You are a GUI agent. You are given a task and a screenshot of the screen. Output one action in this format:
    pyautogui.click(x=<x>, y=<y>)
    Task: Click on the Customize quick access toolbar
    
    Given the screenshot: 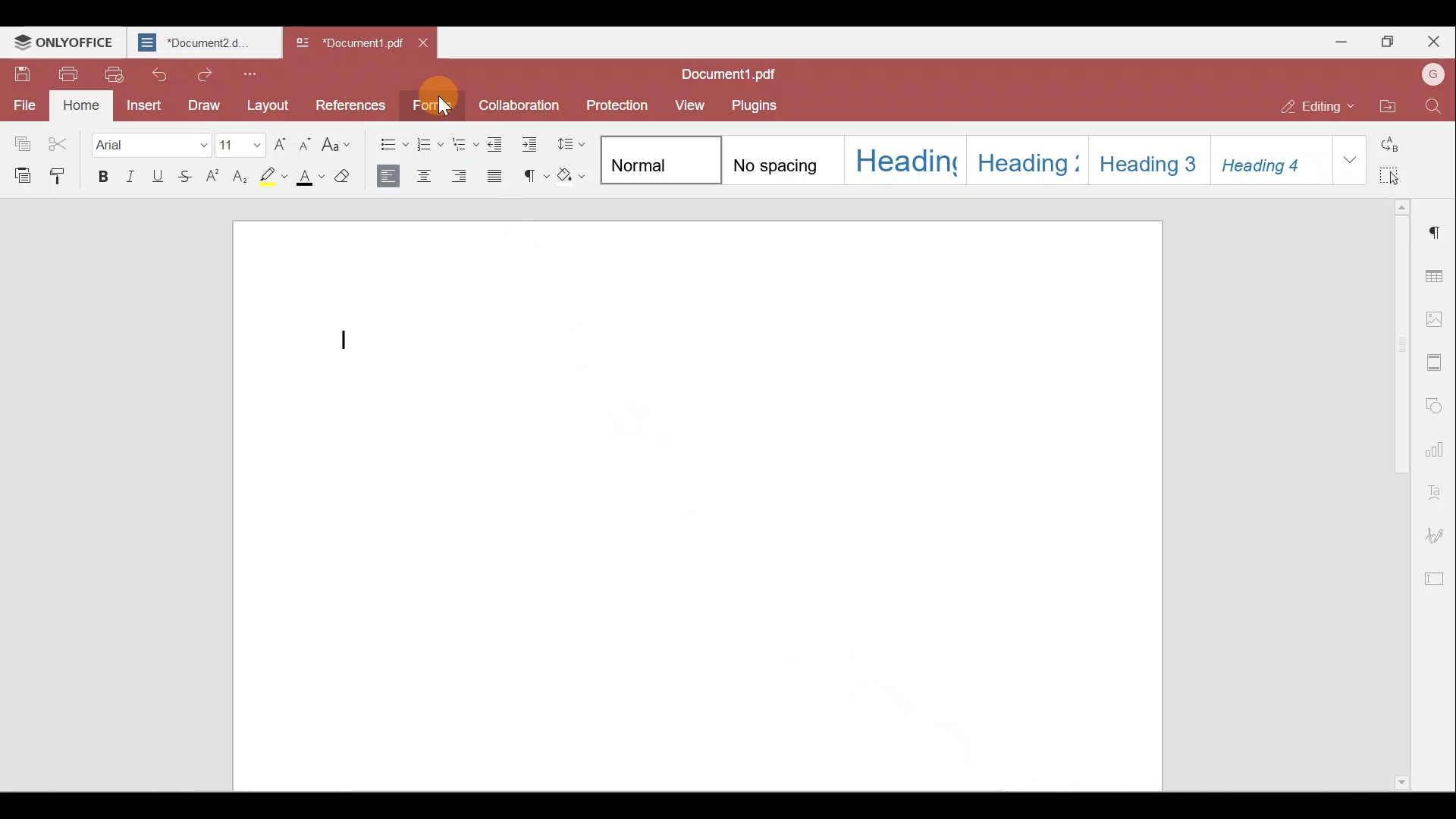 What is the action you would take?
    pyautogui.click(x=255, y=73)
    